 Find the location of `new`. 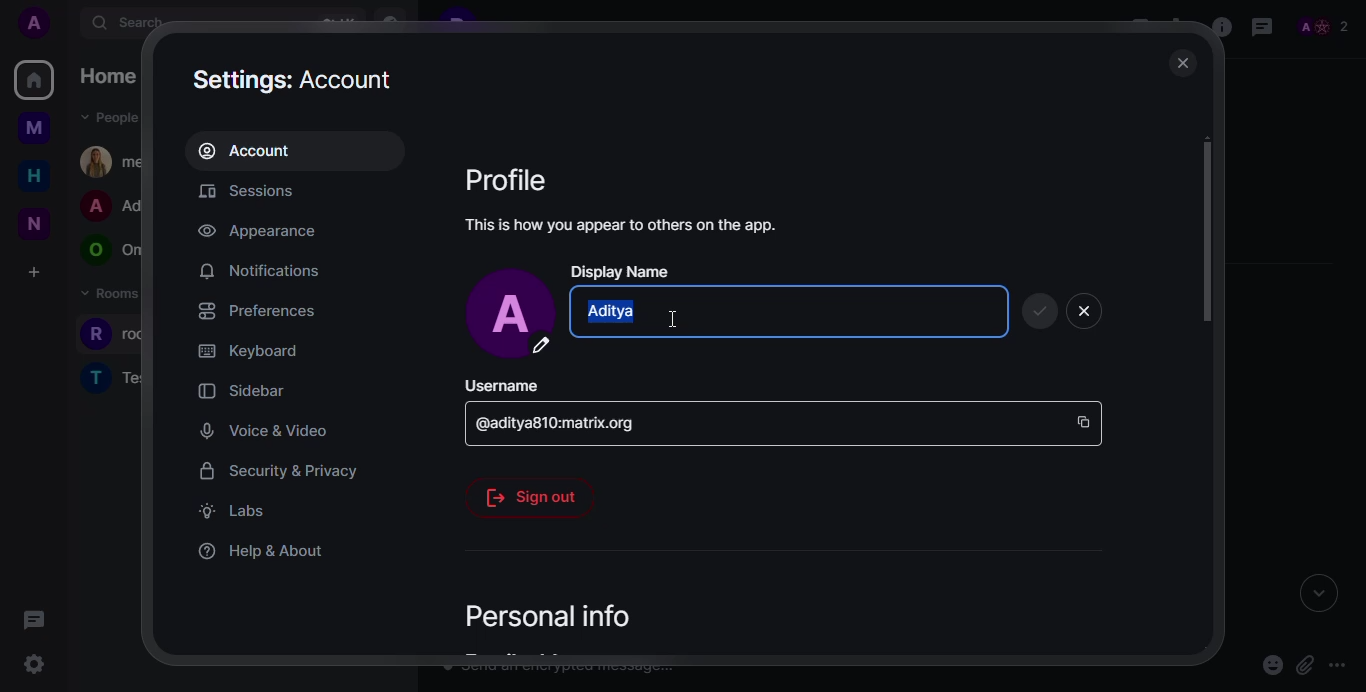

new is located at coordinates (38, 223).